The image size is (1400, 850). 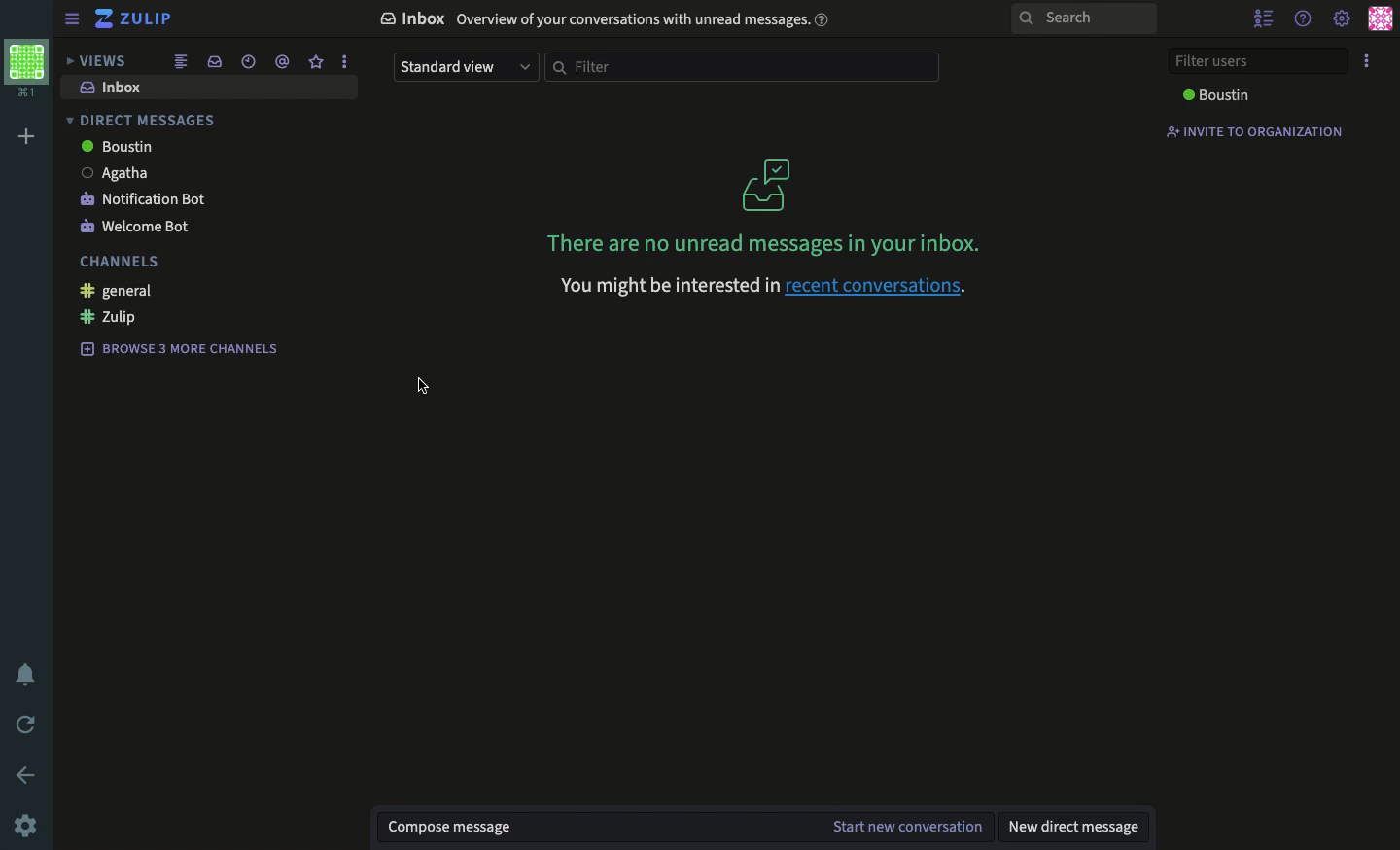 What do you see at coordinates (453, 827) in the screenshot?
I see `compose message` at bounding box center [453, 827].